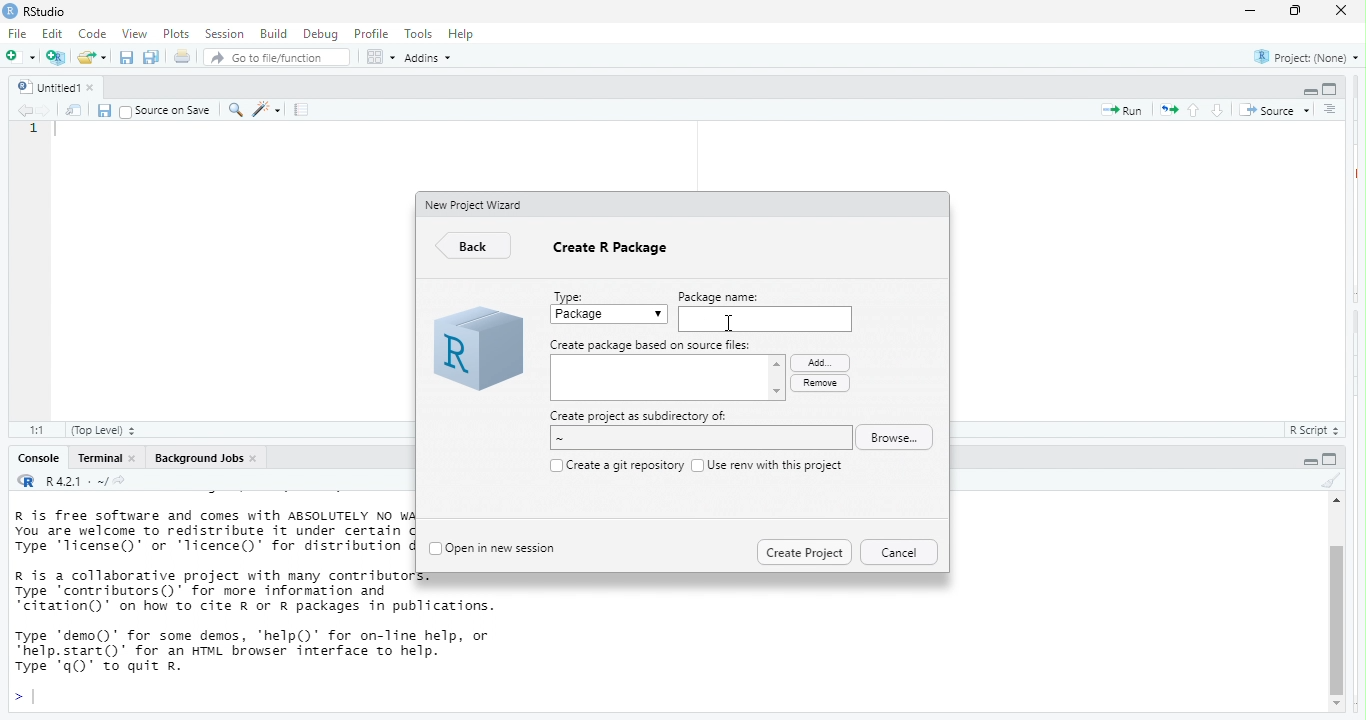 Image resolution: width=1366 pixels, height=720 pixels. I want to click on Addins , so click(434, 59).